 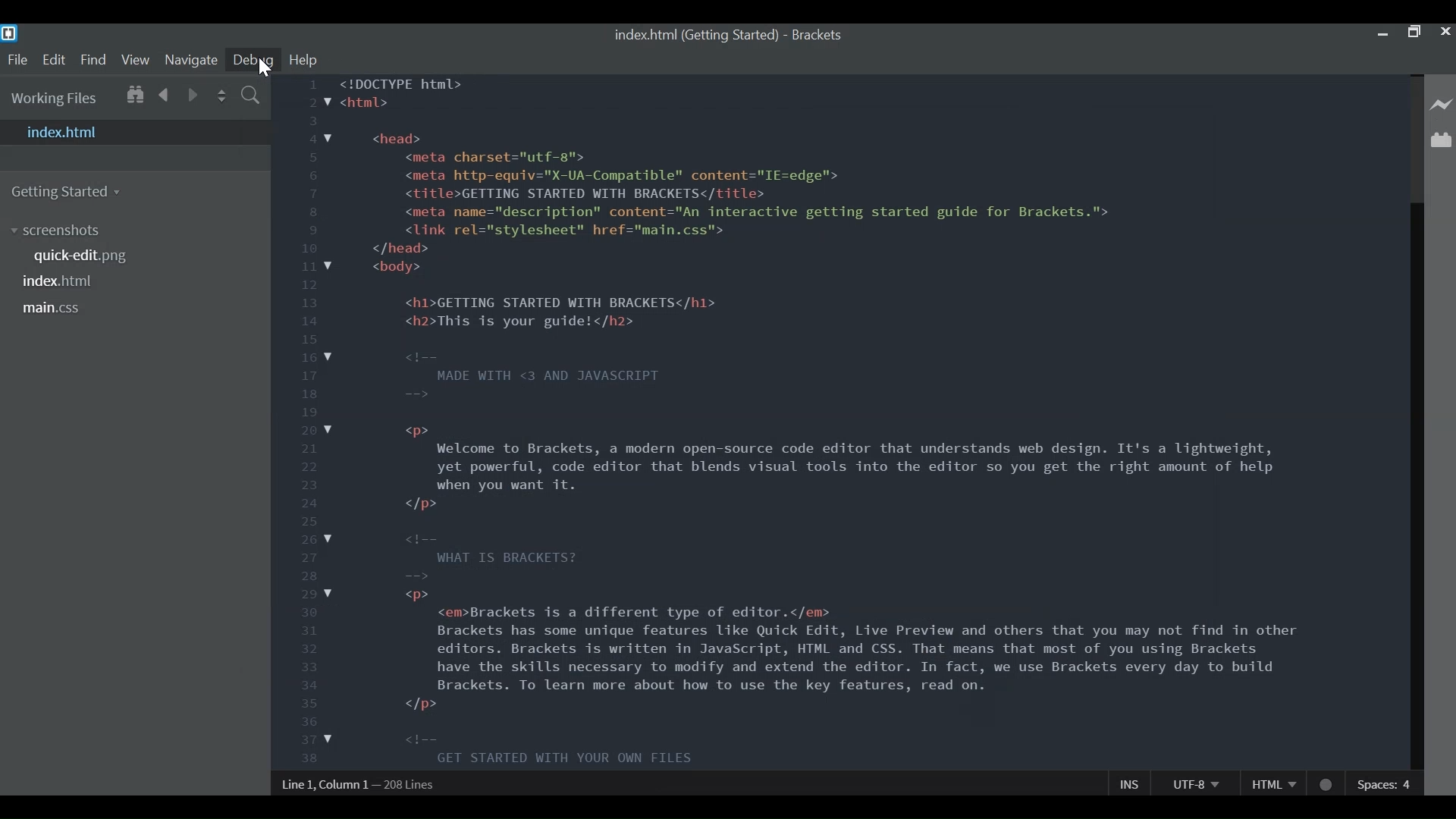 I want to click on minimize, so click(x=1384, y=34).